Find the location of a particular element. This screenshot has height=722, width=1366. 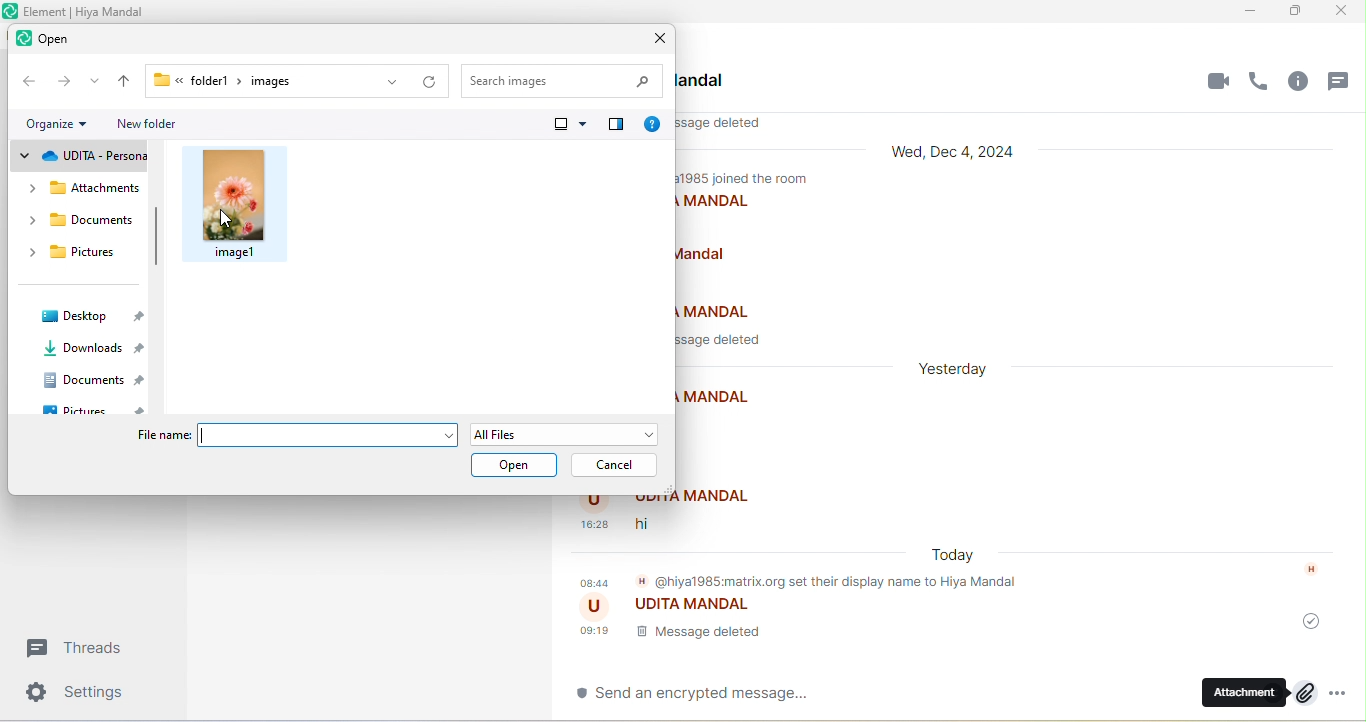

organize is located at coordinates (60, 125).